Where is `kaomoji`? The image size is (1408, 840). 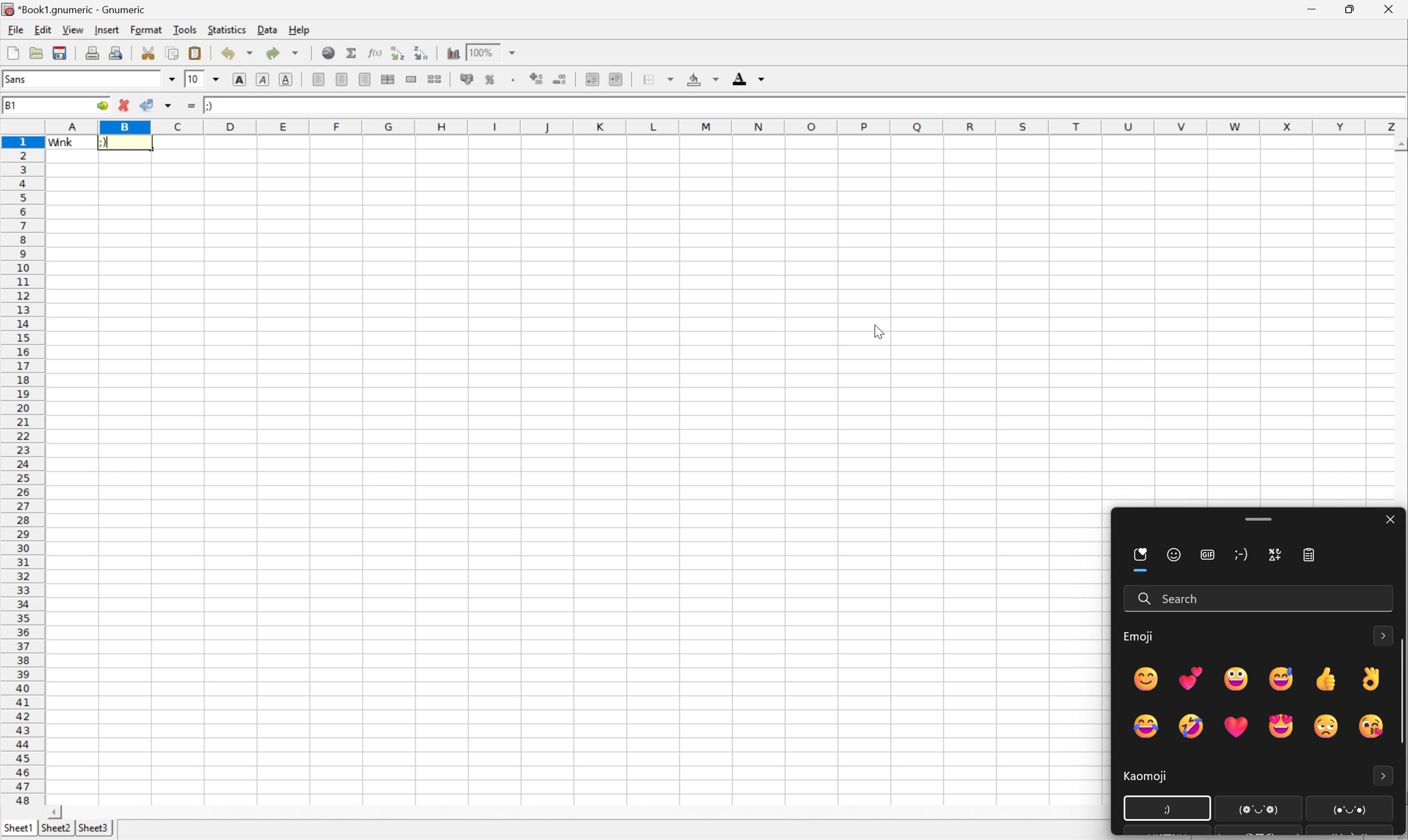
kaomoji is located at coordinates (1244, 558).